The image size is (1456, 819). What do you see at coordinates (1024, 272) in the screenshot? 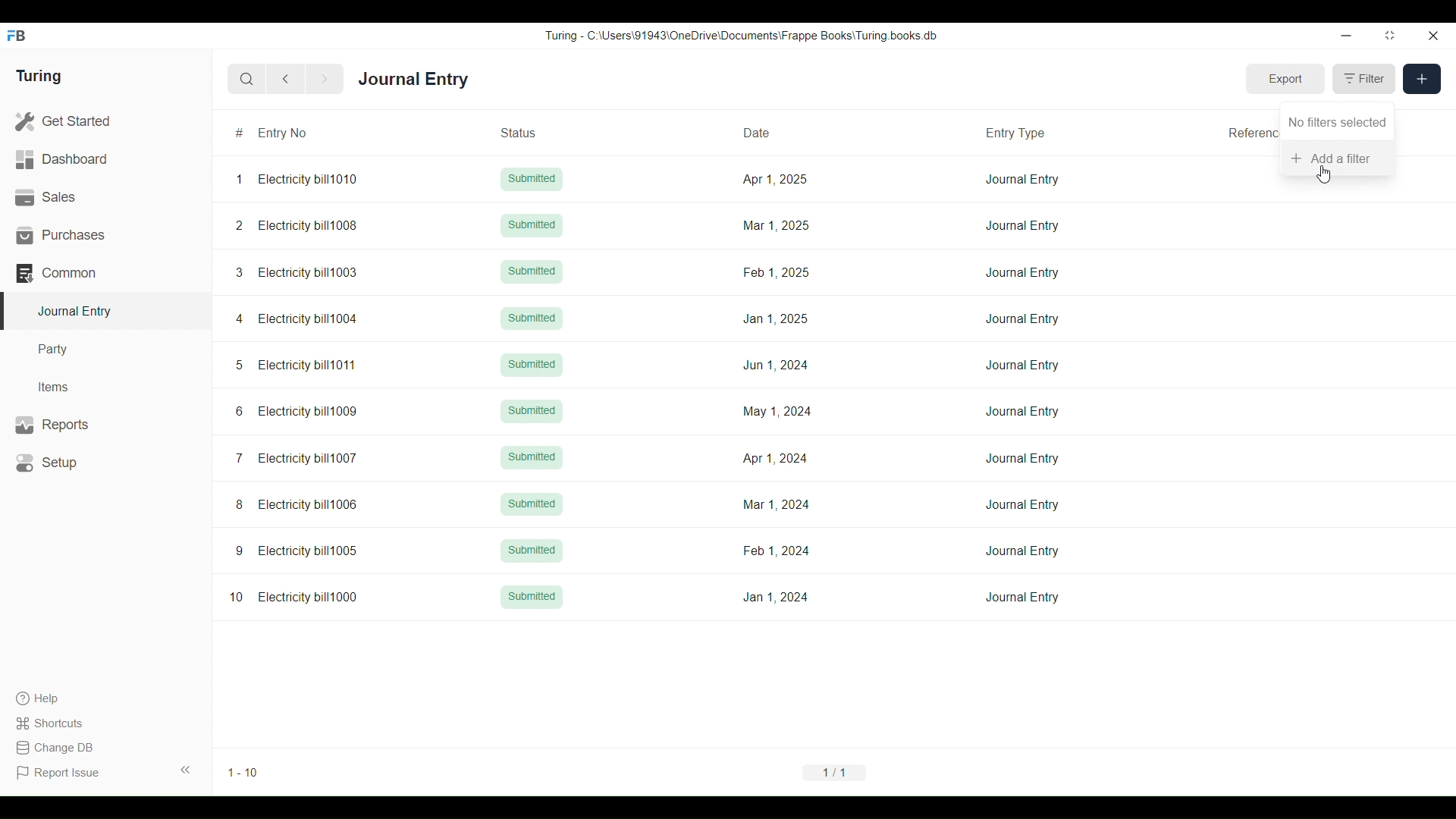
I see `Journal Entry` at bounding box center [1024, 272].